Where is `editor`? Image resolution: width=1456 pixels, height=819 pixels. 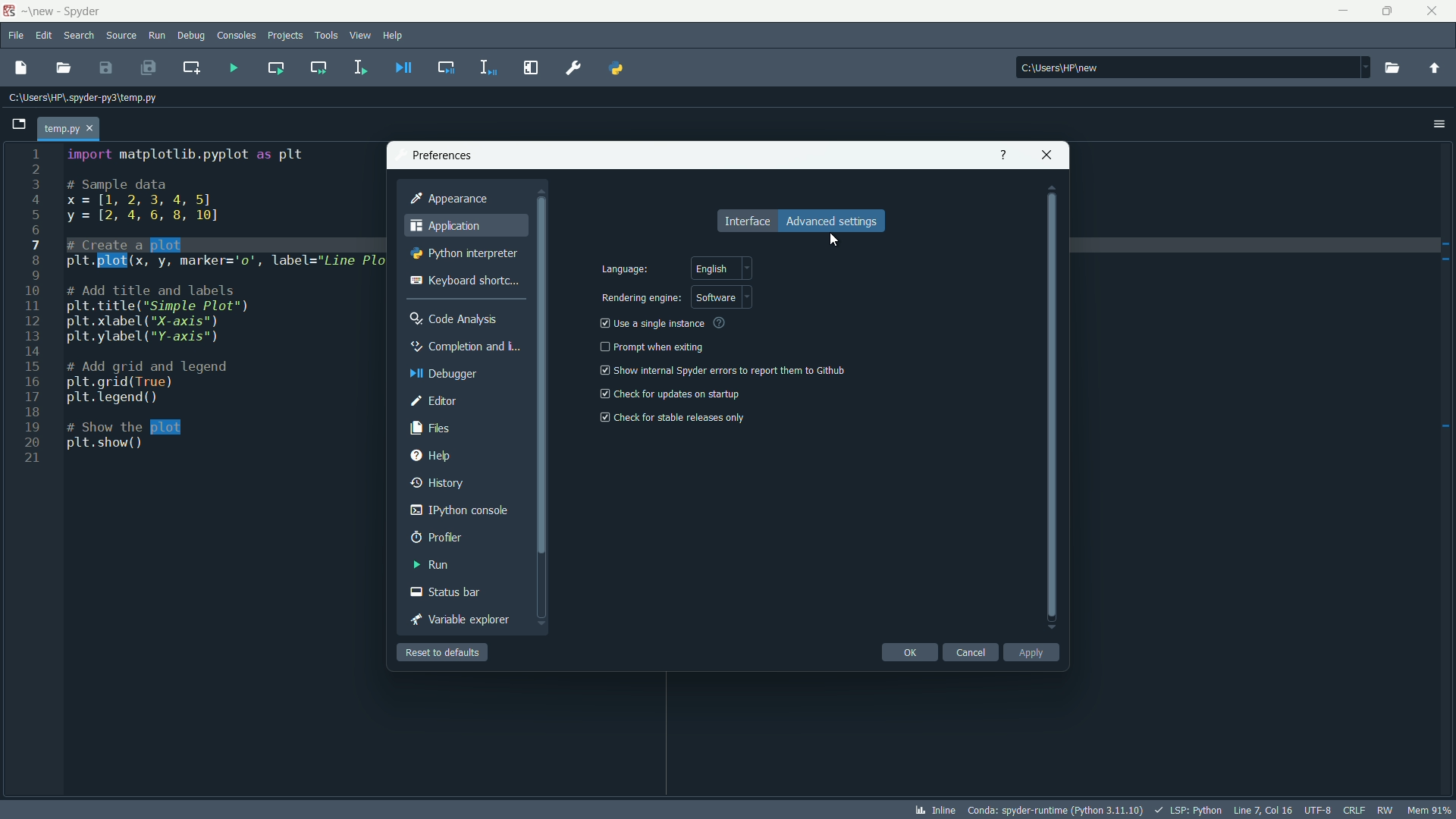 editor is located at coordinates (432, 400).